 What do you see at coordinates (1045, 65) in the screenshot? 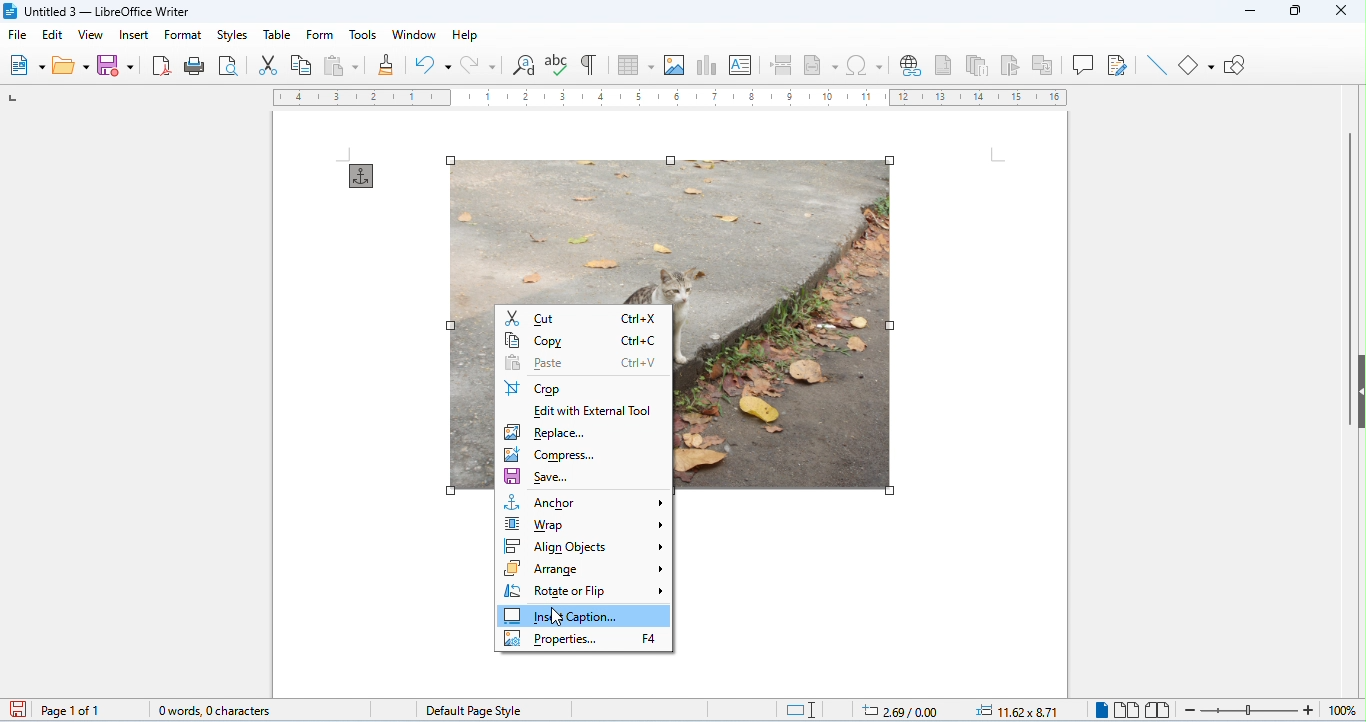
I see `insert cross reference` at bounding box center [1045, 65].